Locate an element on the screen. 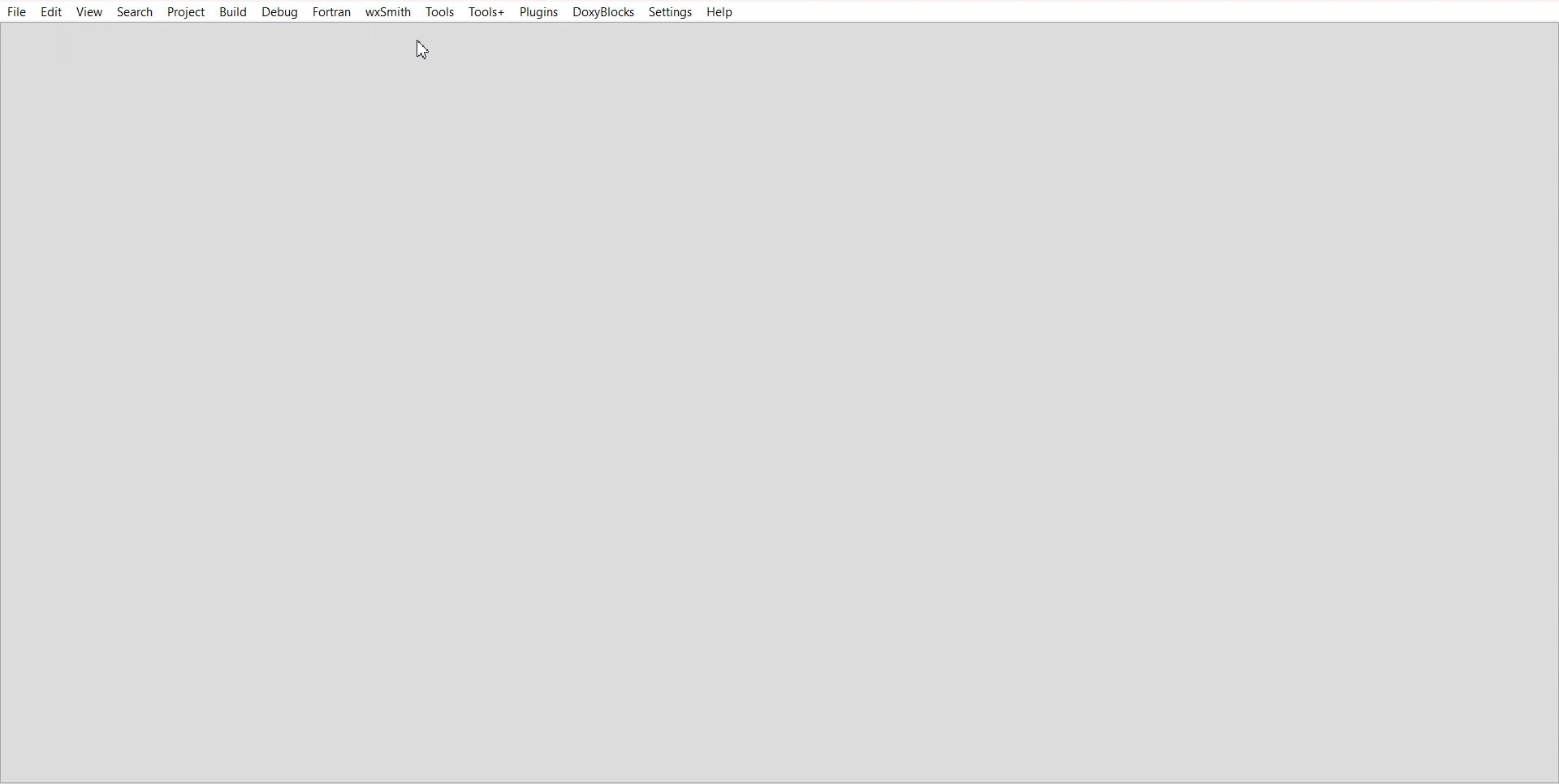 Image resolution: width=1559 pixels, height=784 pixels. Plugins is located at coordinates (538, 13).